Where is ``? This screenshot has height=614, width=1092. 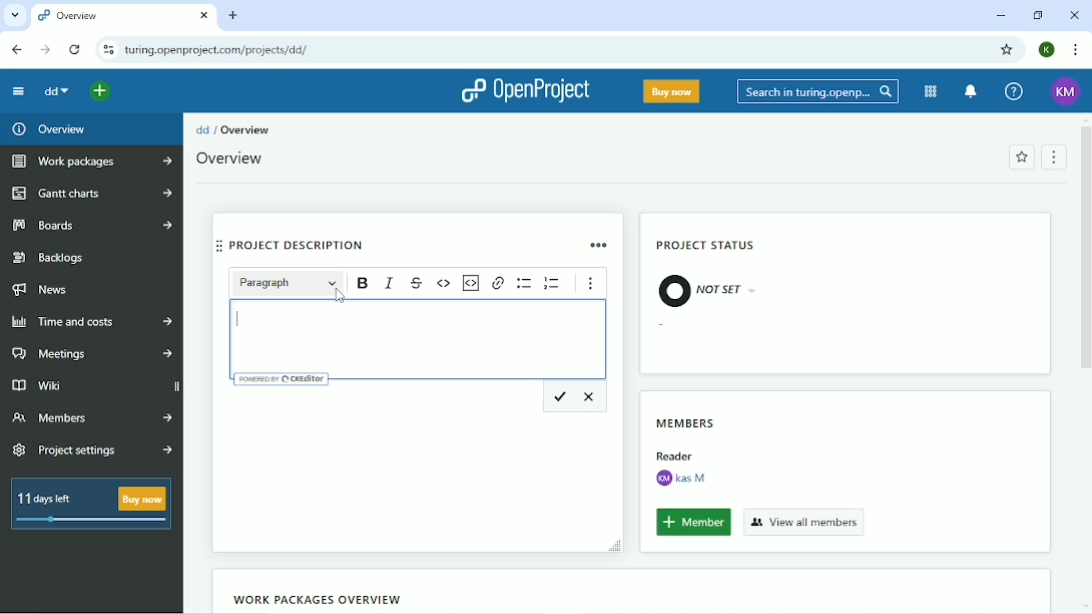  is located at coordinates (674, 453).